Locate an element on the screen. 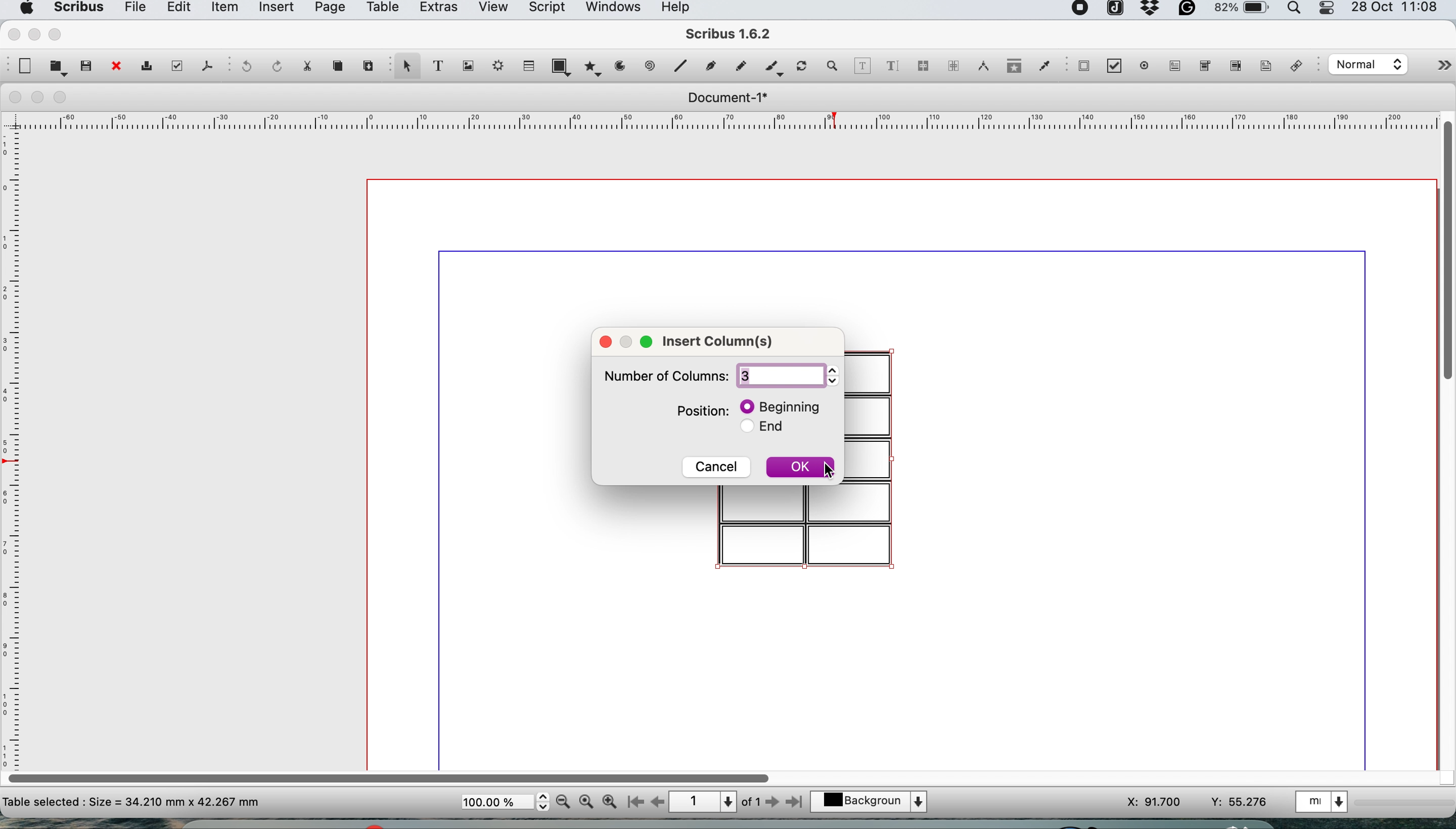 The image size is (1456, 829). save is located at coordinates (87, 65).